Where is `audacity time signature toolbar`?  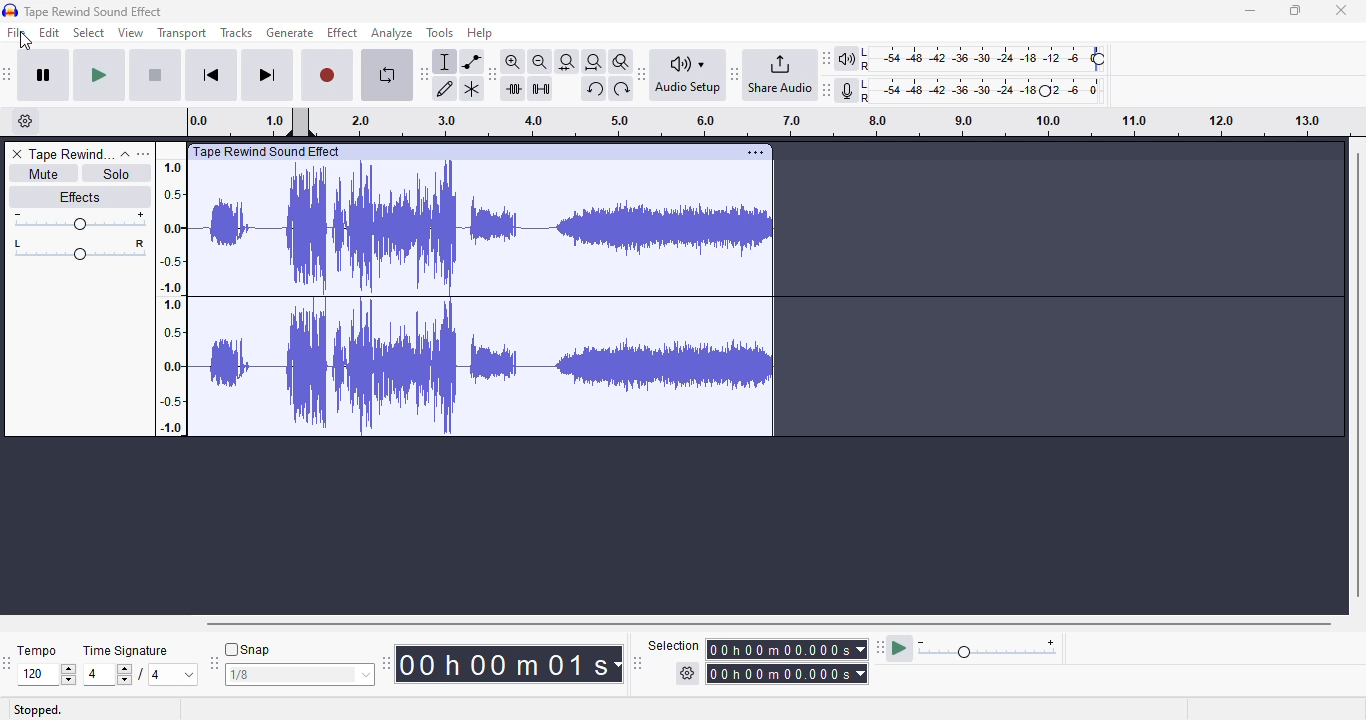
audacity time signature toolbar is located at coordinates (9, 662).